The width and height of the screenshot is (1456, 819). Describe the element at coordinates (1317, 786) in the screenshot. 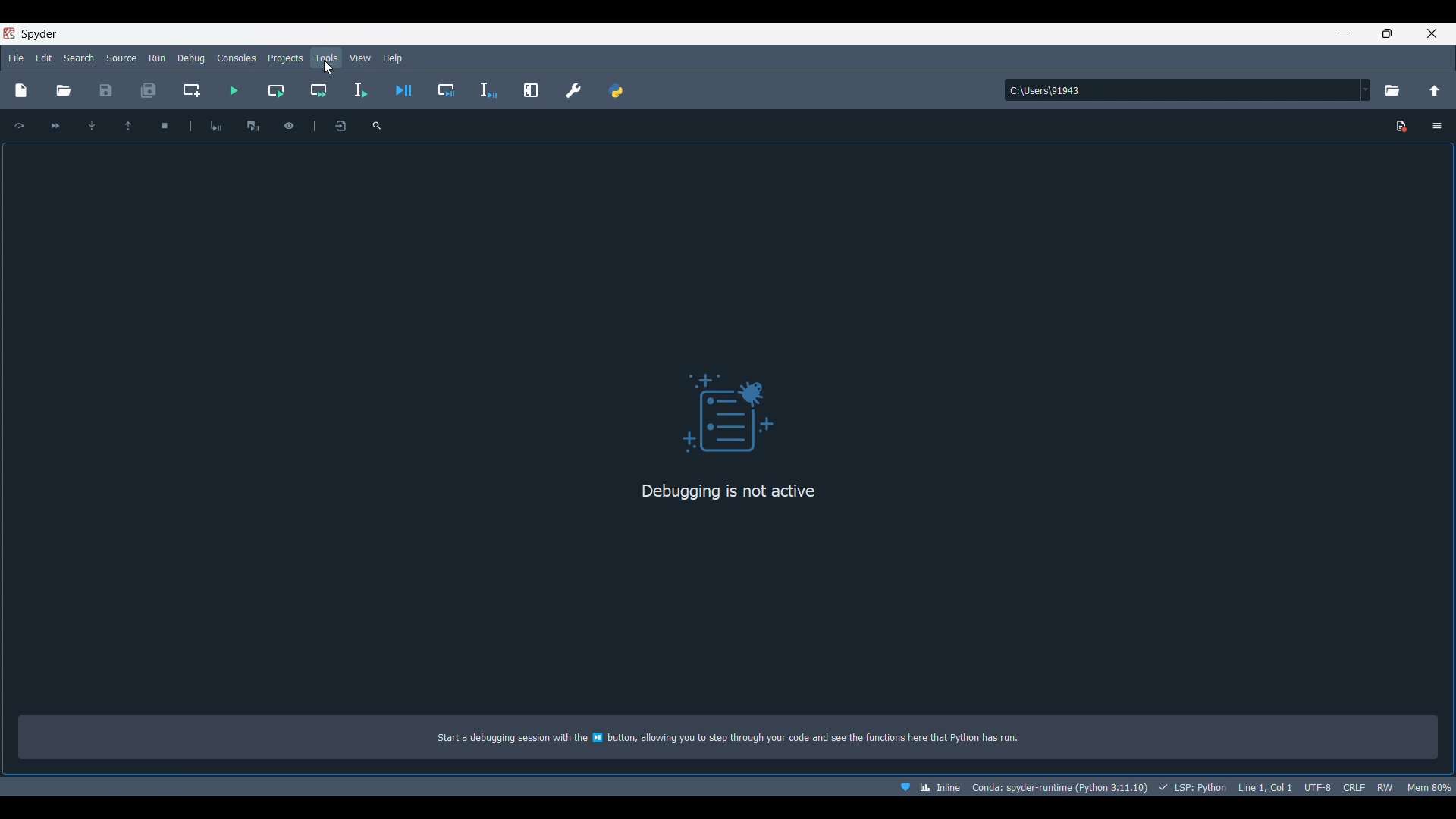

I see `UTF-8` at that location.